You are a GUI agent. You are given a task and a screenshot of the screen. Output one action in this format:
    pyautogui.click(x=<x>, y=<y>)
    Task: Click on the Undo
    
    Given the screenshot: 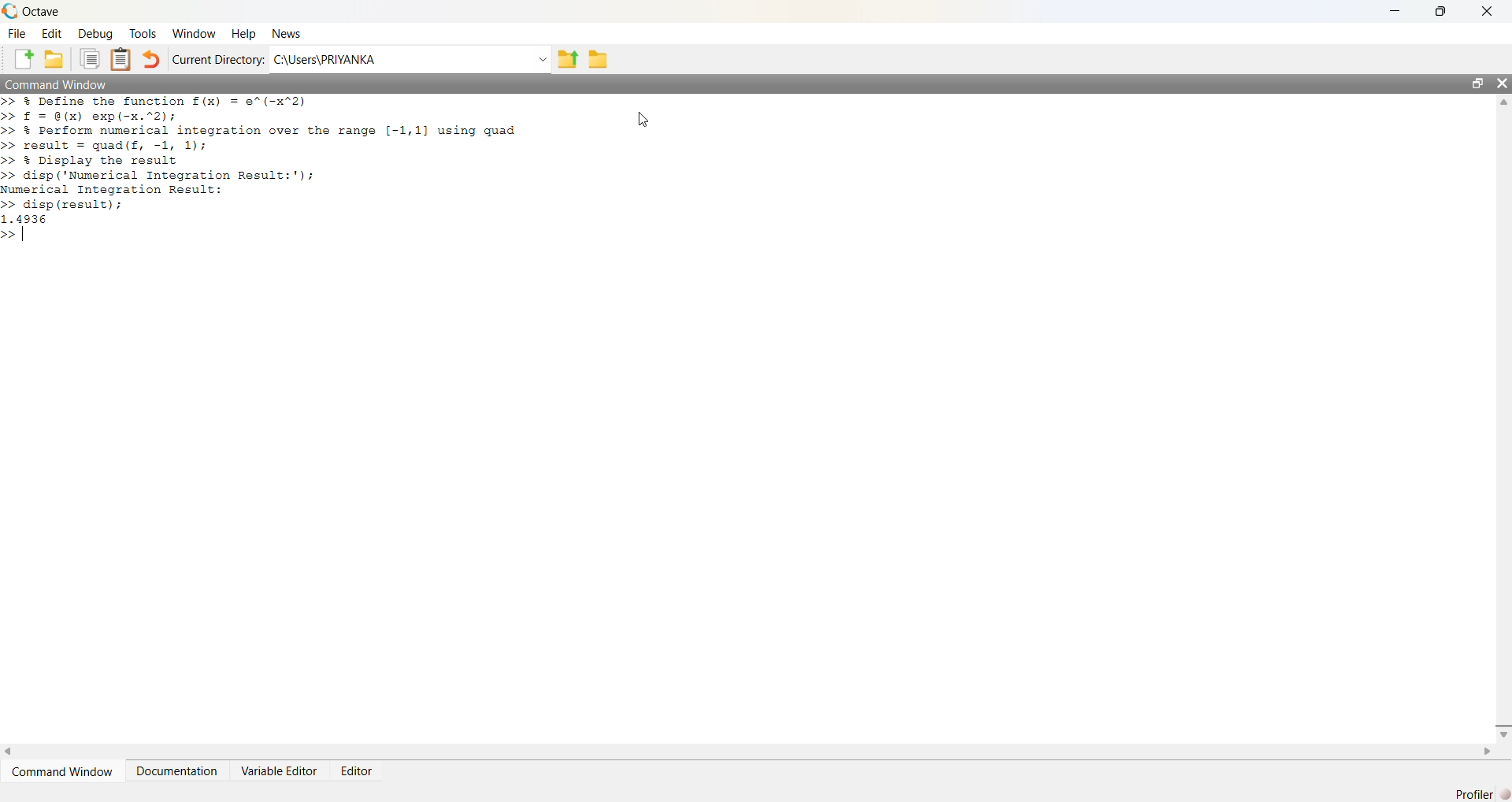 What is the action you would take?
    pyautogui.click(x=151, y=58)
    